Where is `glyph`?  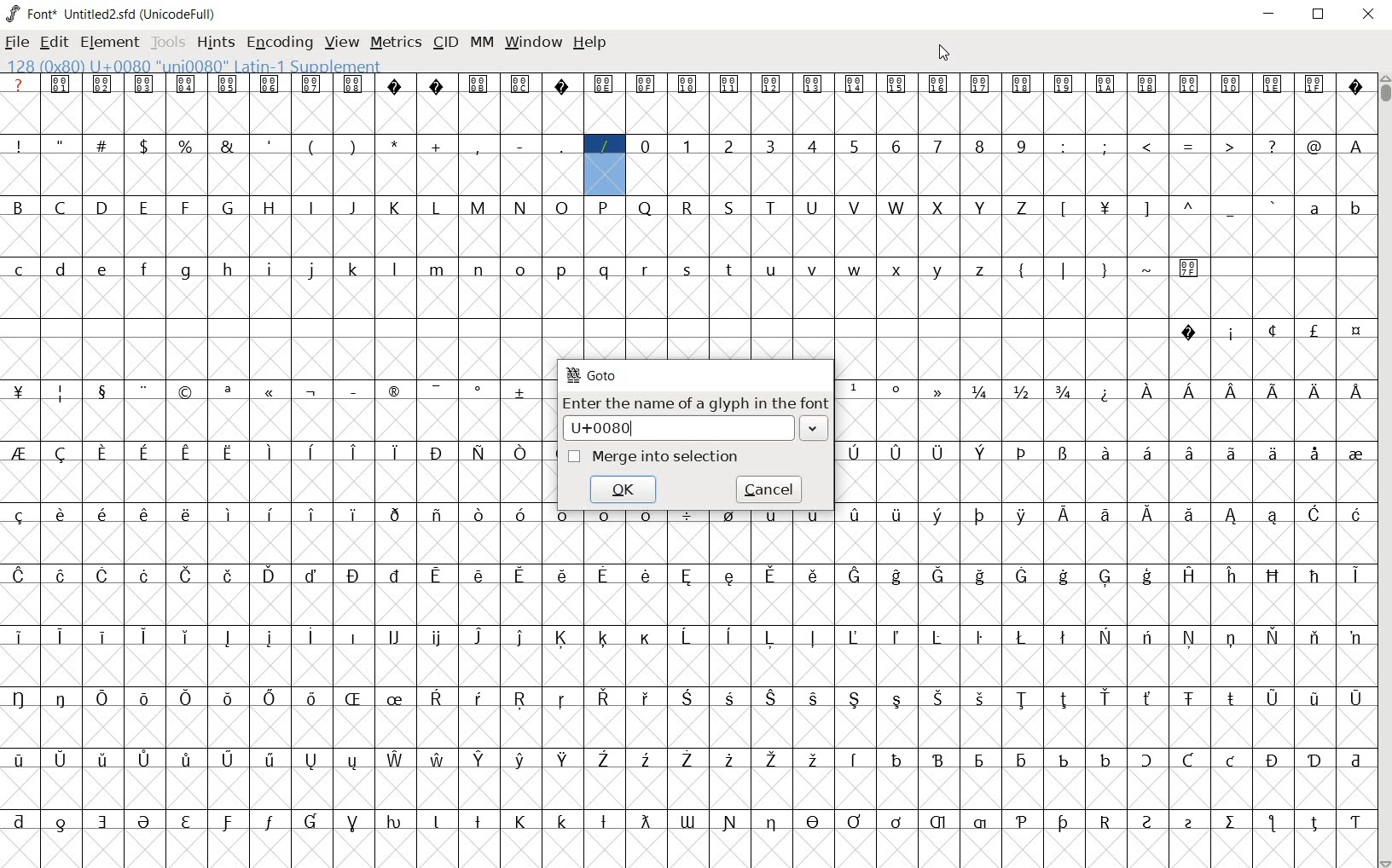
glyph is located at coordinates (604, 697).